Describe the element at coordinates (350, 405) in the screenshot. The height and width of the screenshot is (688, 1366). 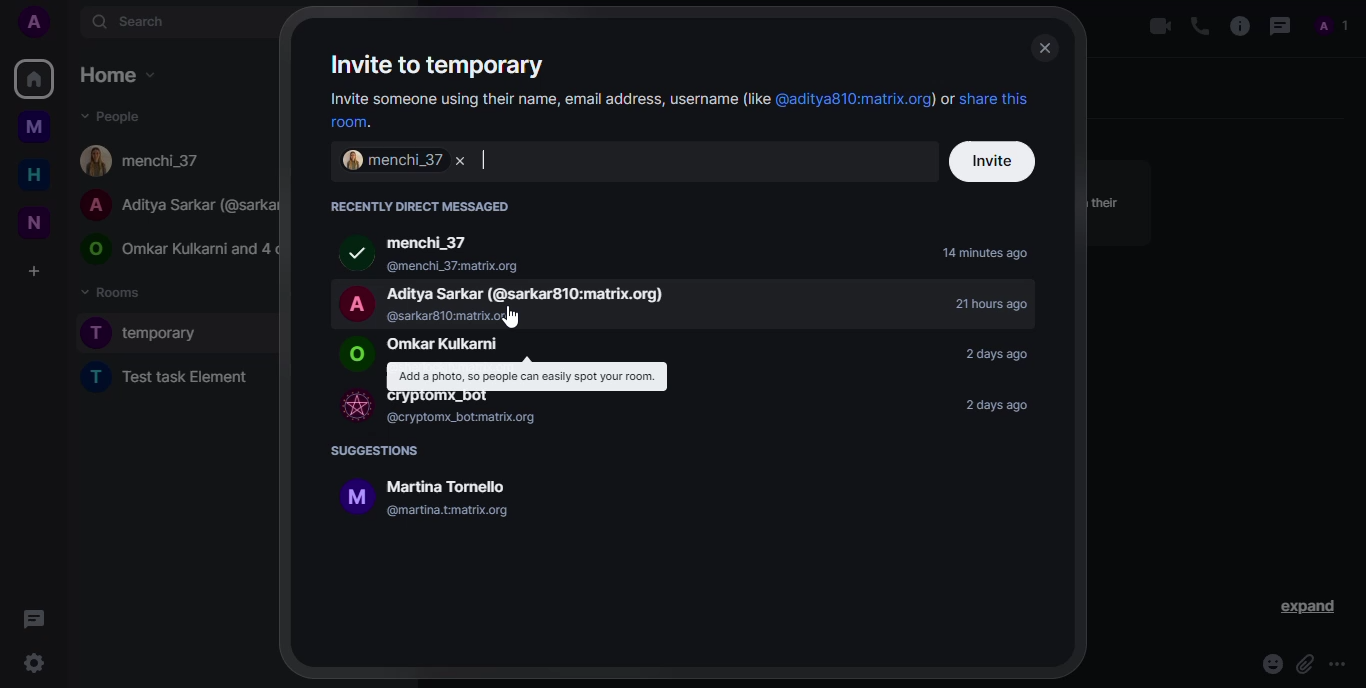
I see `bot` at that location.